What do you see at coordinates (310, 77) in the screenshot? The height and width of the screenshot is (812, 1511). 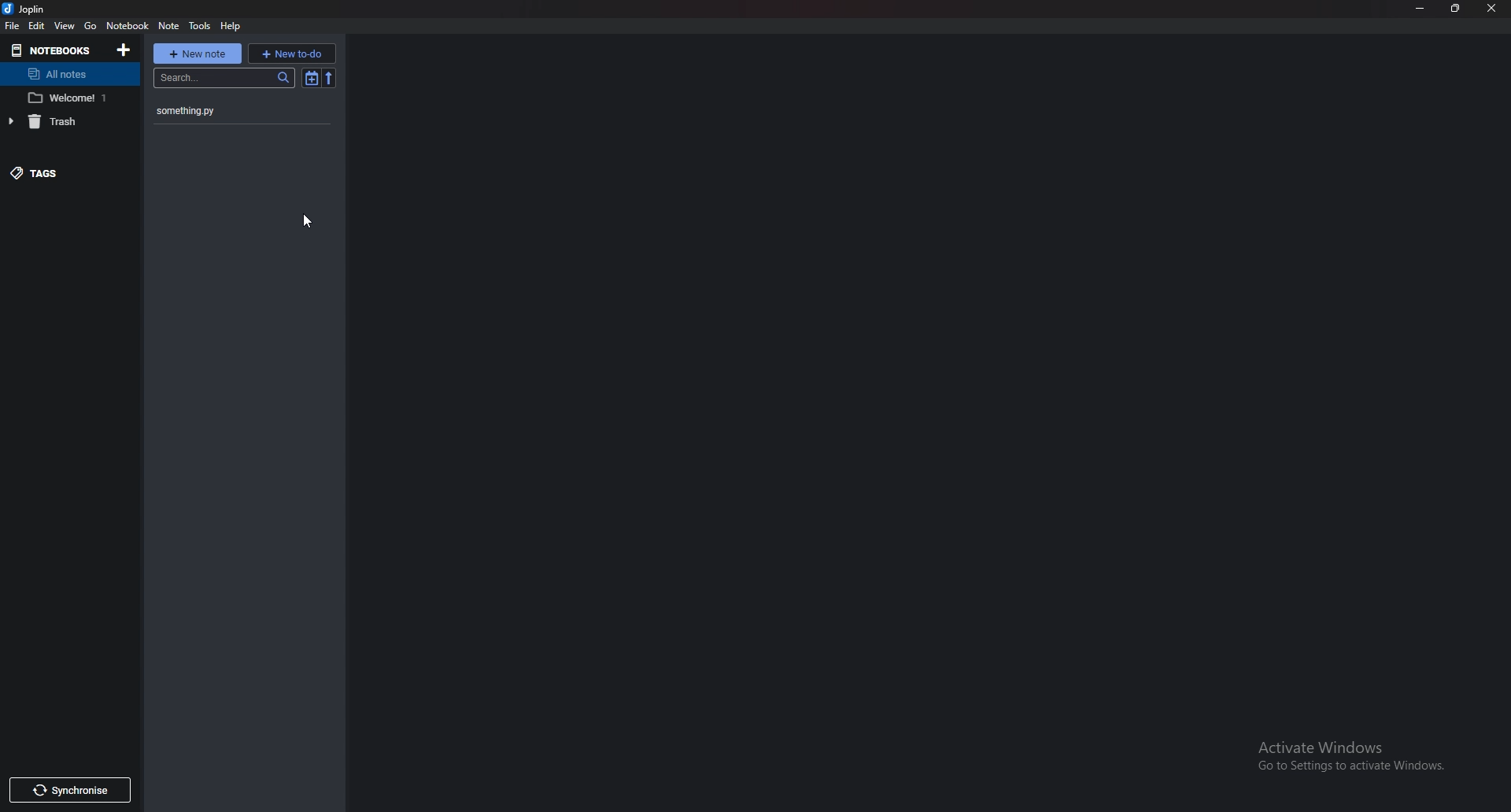 I see `Toggle sort order` at bounding box center [310, 77].